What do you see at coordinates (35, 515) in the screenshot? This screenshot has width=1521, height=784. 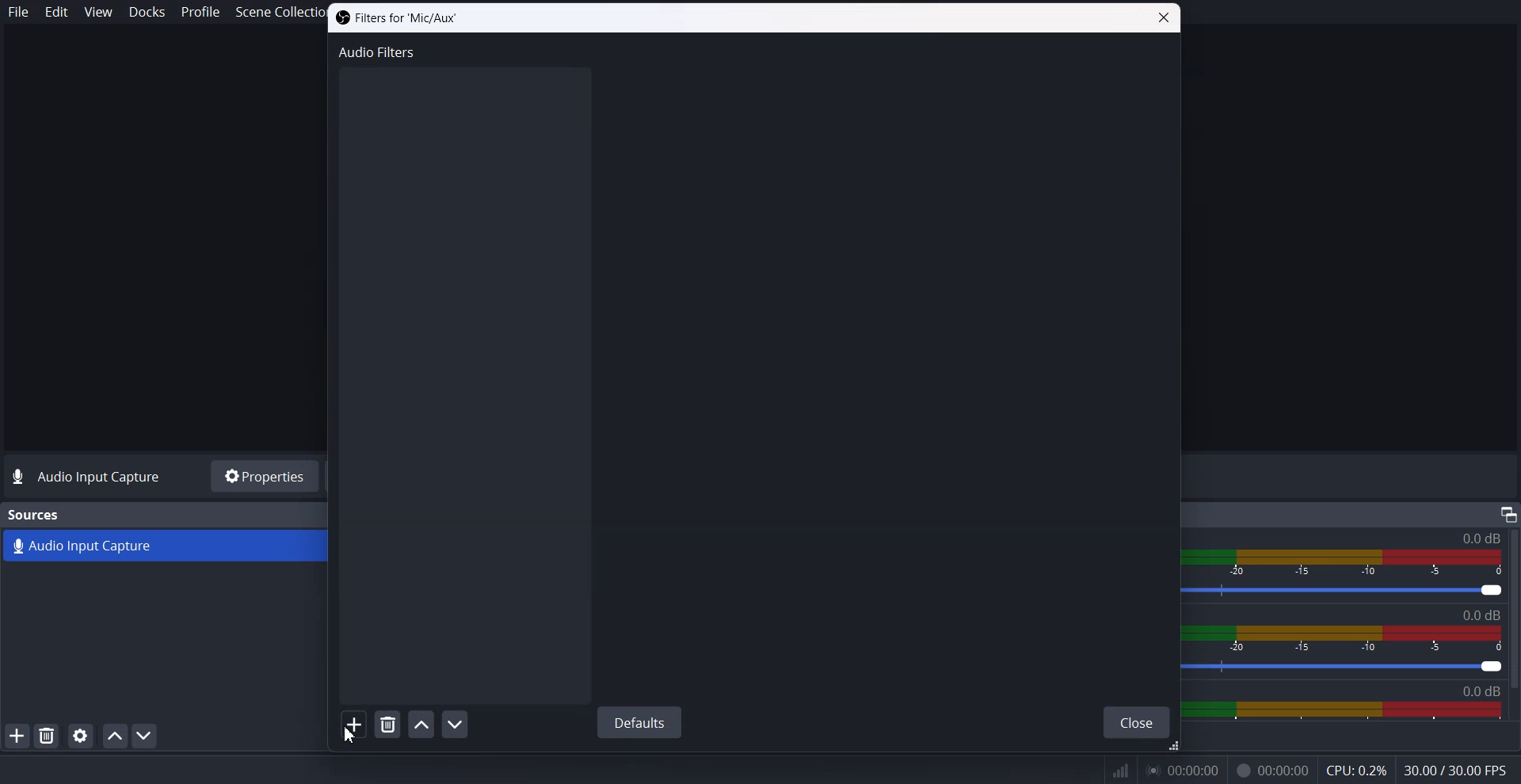 I see `Text` at bounding box center [35, 515].